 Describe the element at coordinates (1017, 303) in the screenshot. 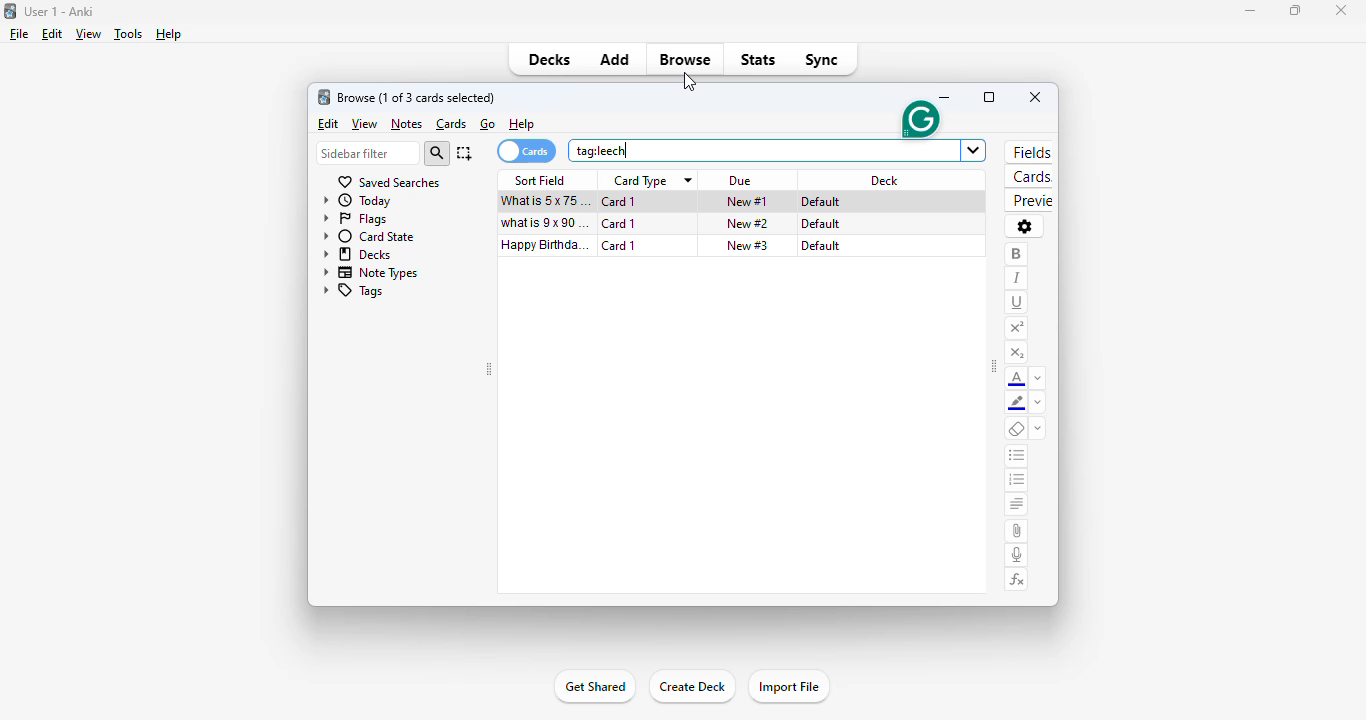

I see `underline` at that location.